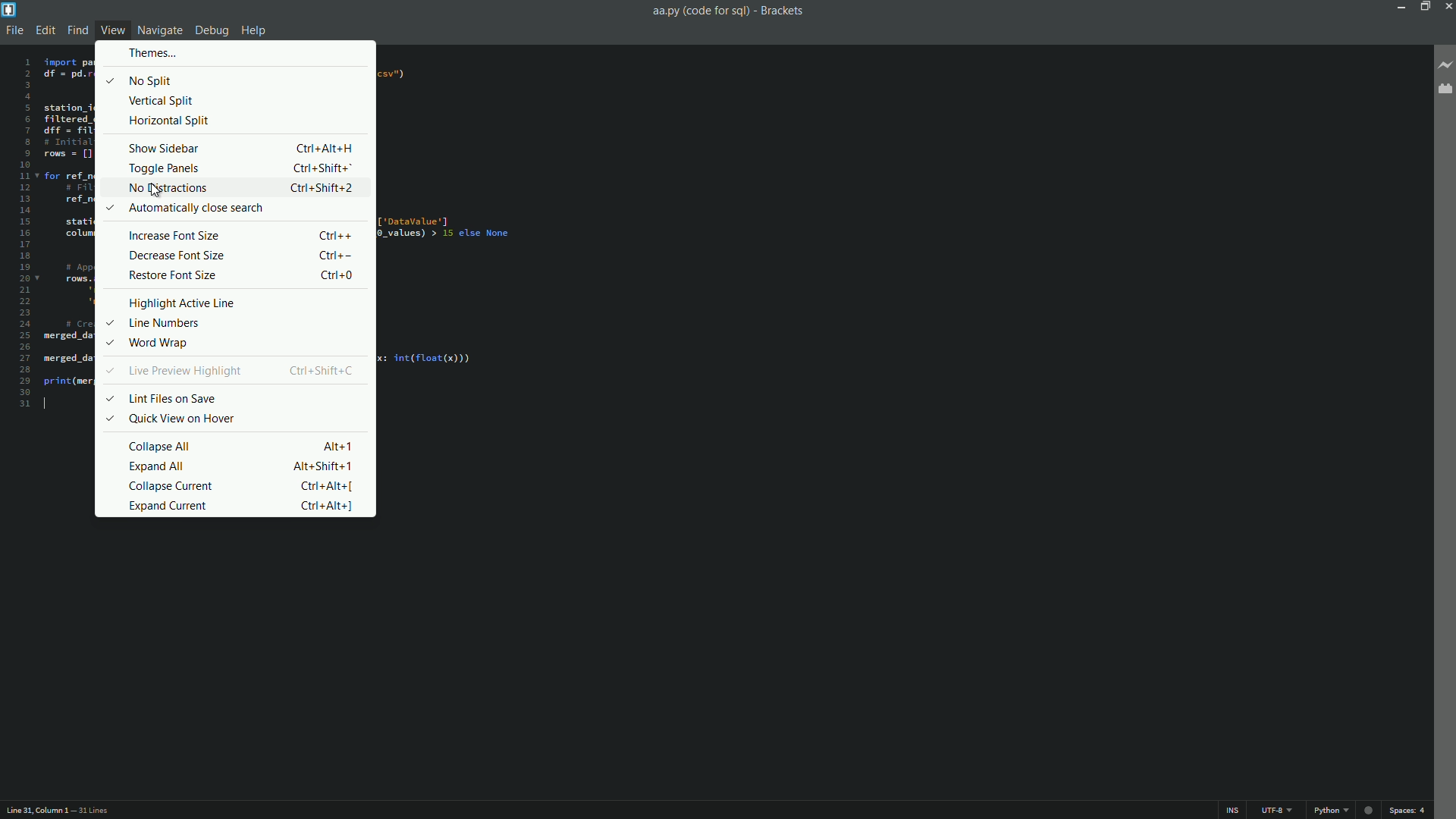  What do you see at coordinates (726, 13) in the screenshot?
I see `aa.py (code for sql) - Brackets` at bounding box center [726, 13].